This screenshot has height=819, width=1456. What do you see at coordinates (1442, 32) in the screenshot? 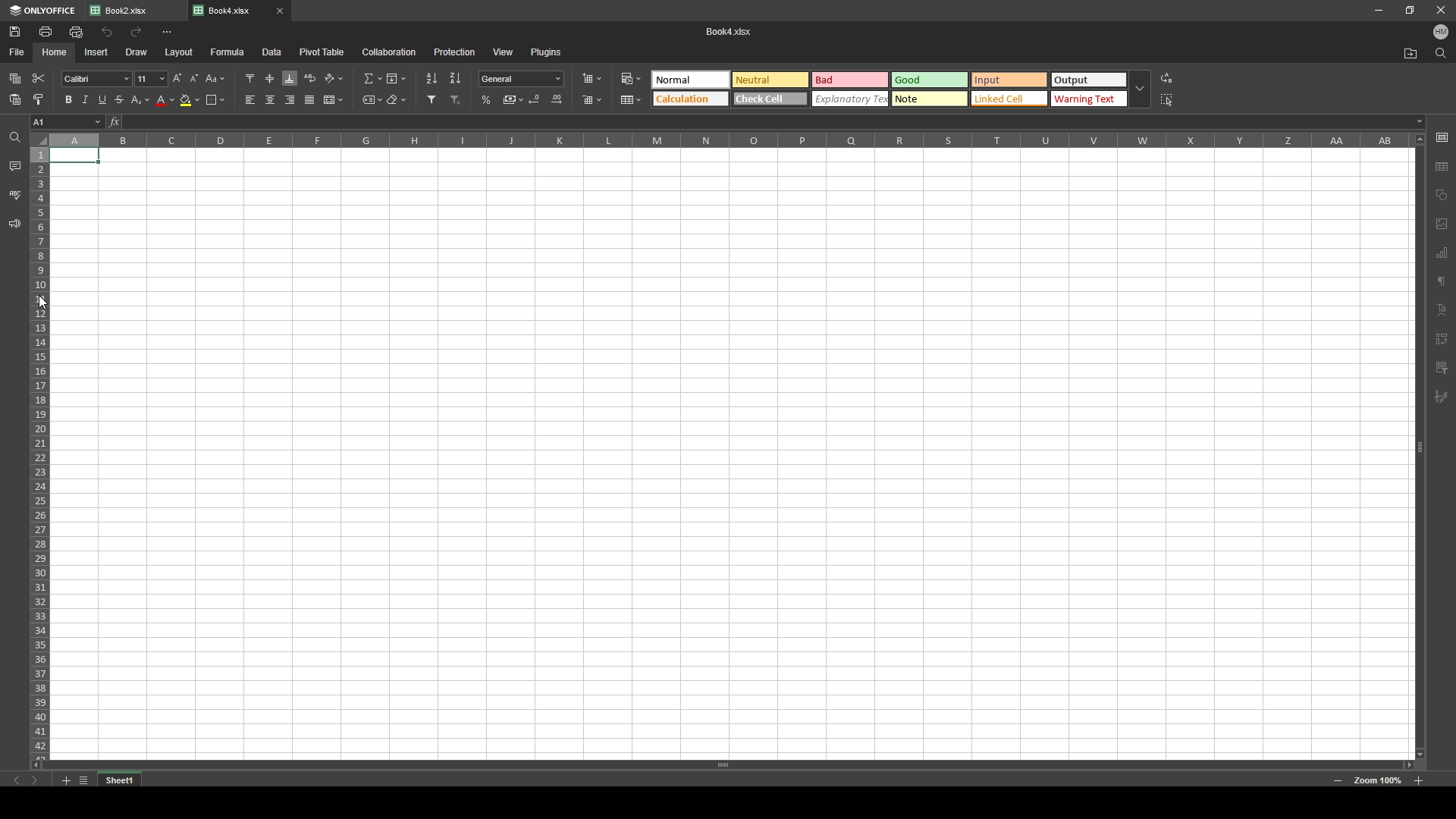
I see `profile` at bounding box center [1442, 32].